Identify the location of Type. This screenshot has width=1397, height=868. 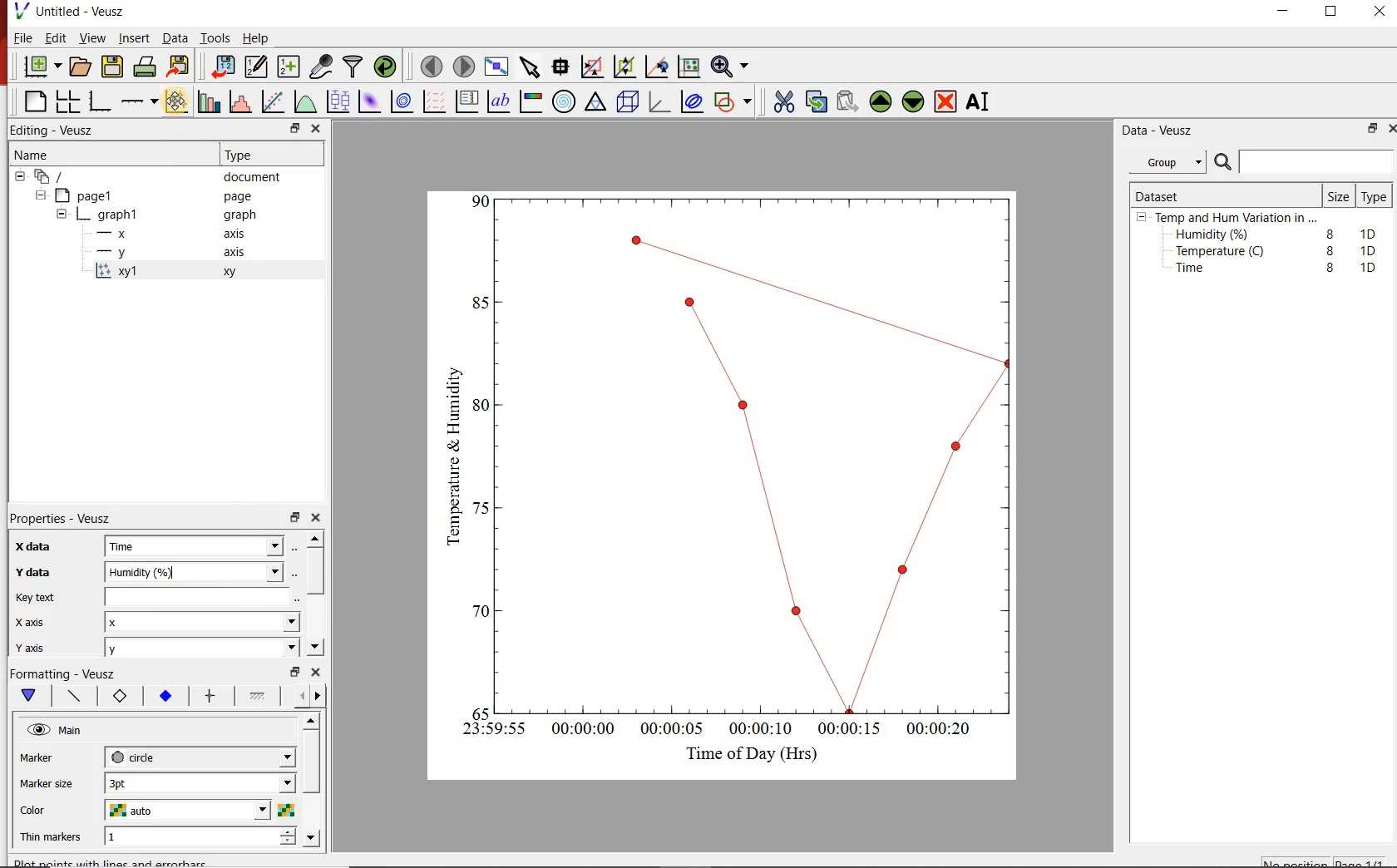
(1375, 198).